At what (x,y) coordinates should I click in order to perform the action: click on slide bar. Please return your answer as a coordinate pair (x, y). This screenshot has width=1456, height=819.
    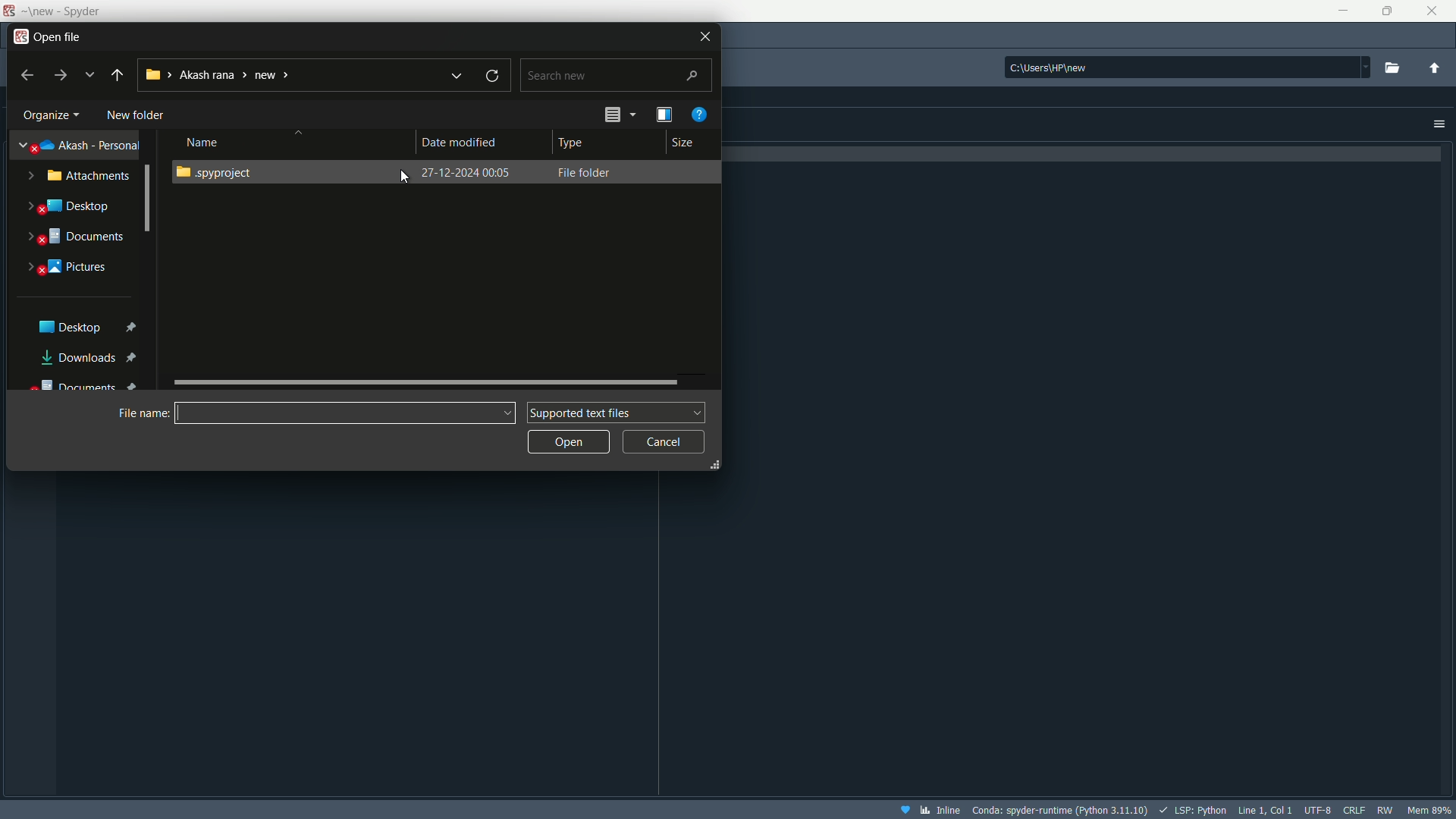
    Looking at the image, I should click on (425, 383).